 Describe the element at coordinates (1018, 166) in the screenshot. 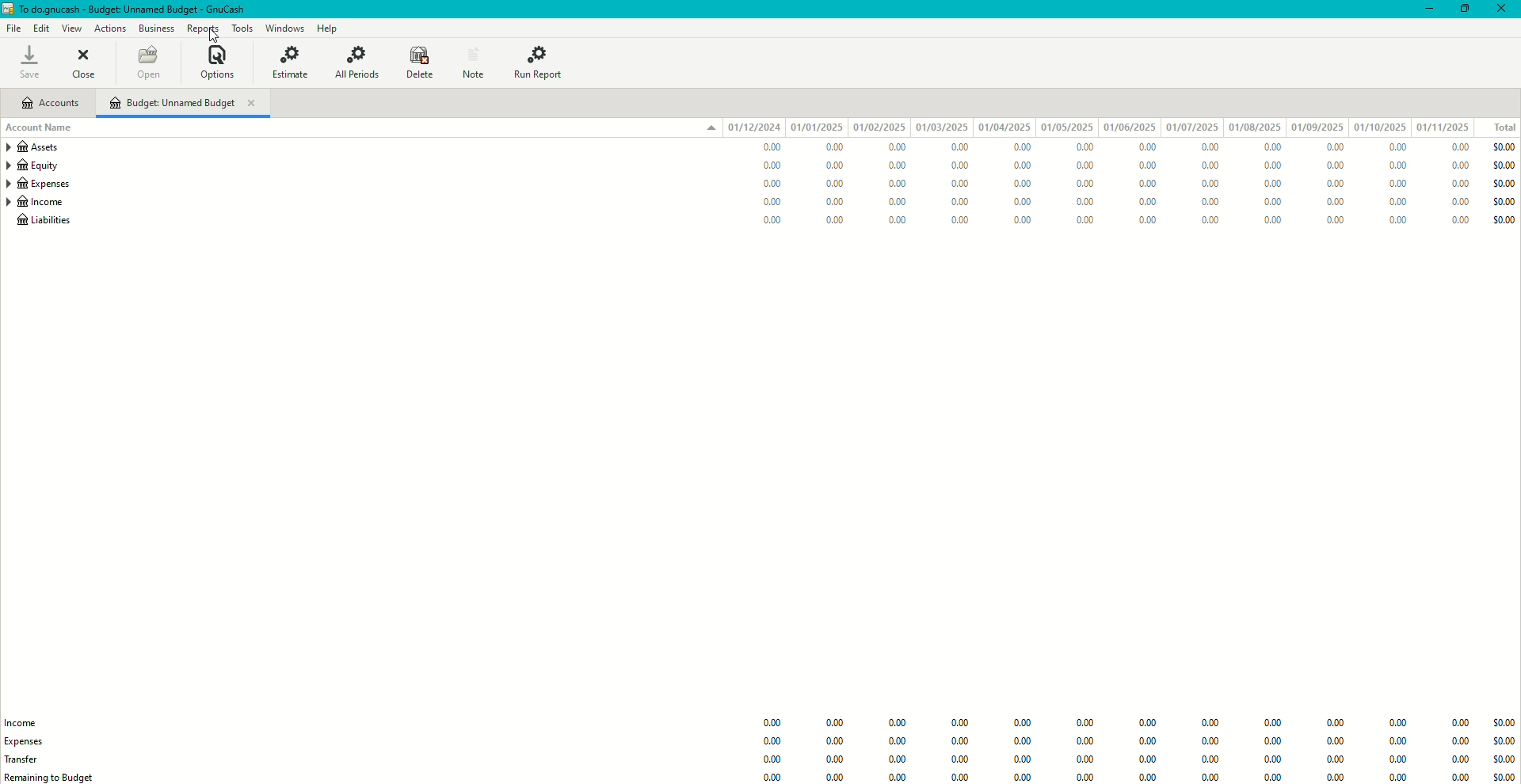

I see `0.00` at that location.